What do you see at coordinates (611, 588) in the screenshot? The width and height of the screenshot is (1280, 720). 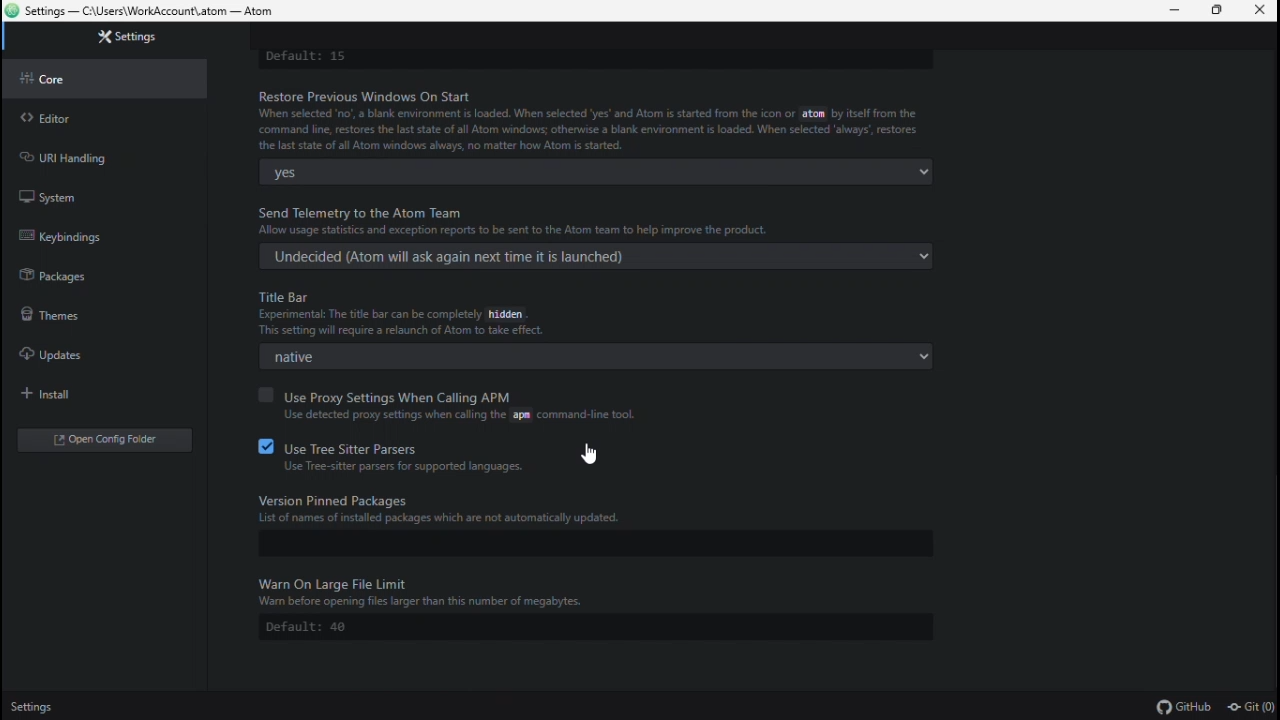 I see `warn on large file limit` at bounding box center [611, 588].